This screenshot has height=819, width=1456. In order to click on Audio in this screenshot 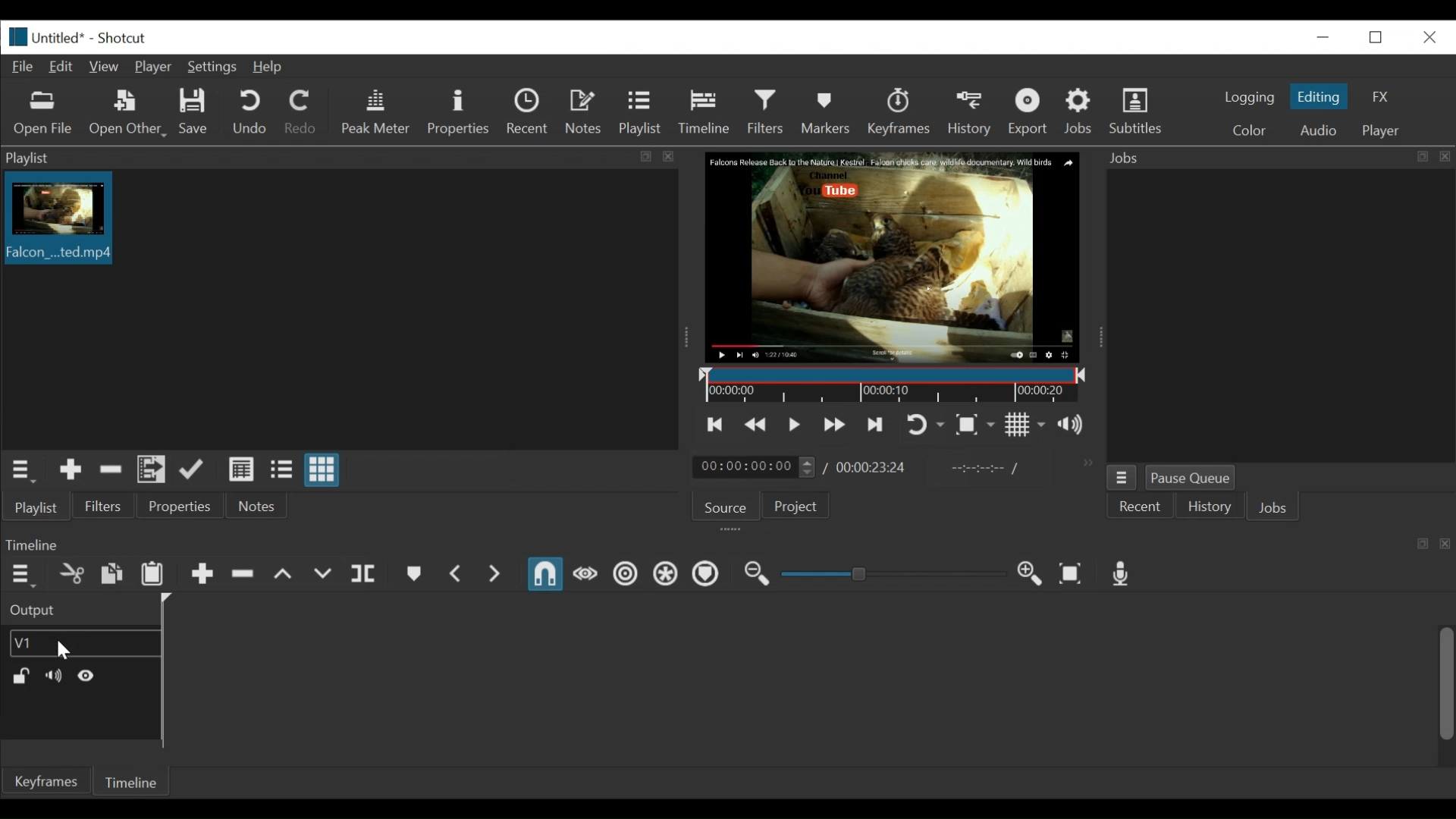, I will do `click(1316, 129)`.